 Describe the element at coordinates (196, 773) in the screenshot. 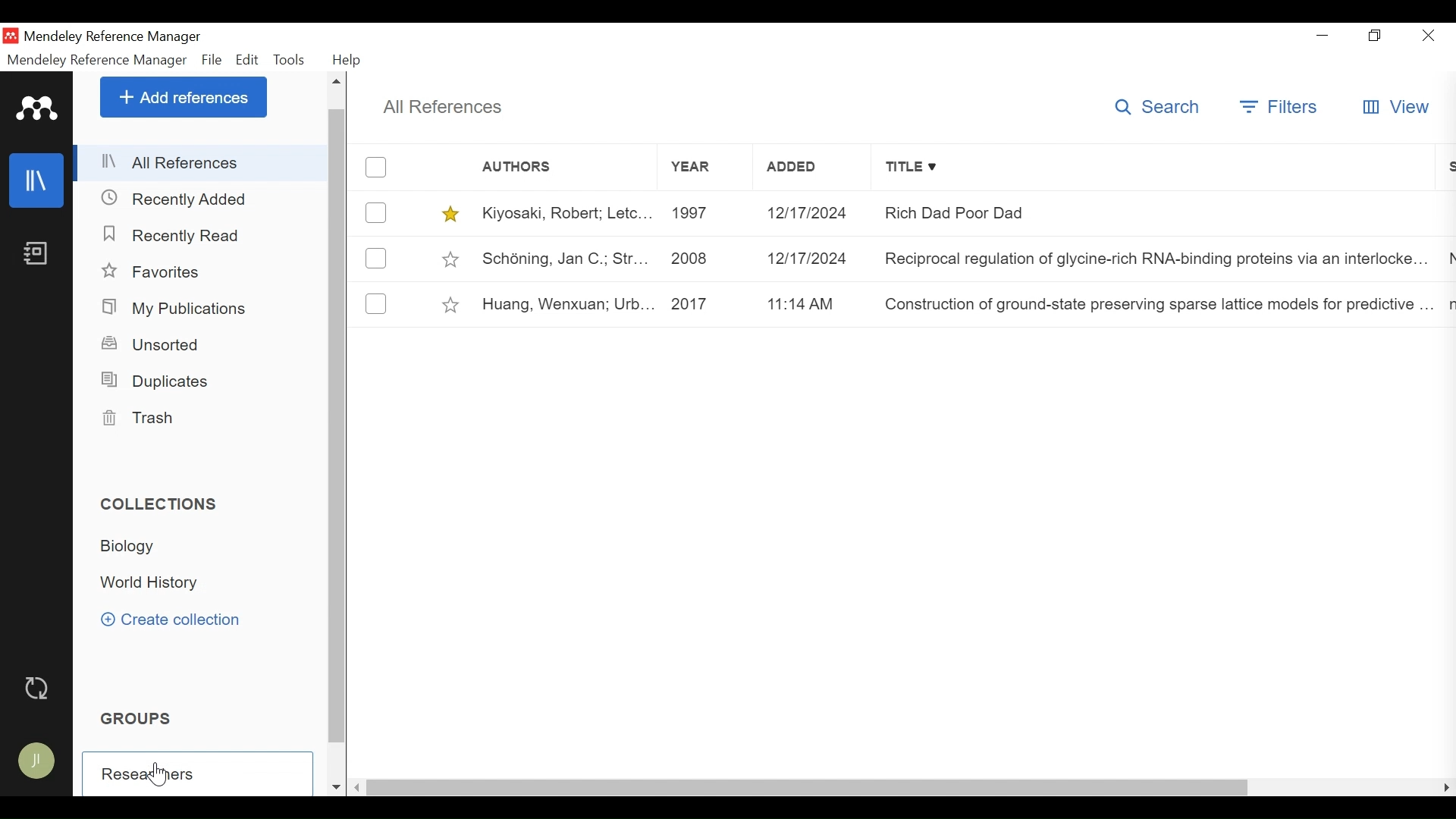

I see `Create Goup Field` at that location.